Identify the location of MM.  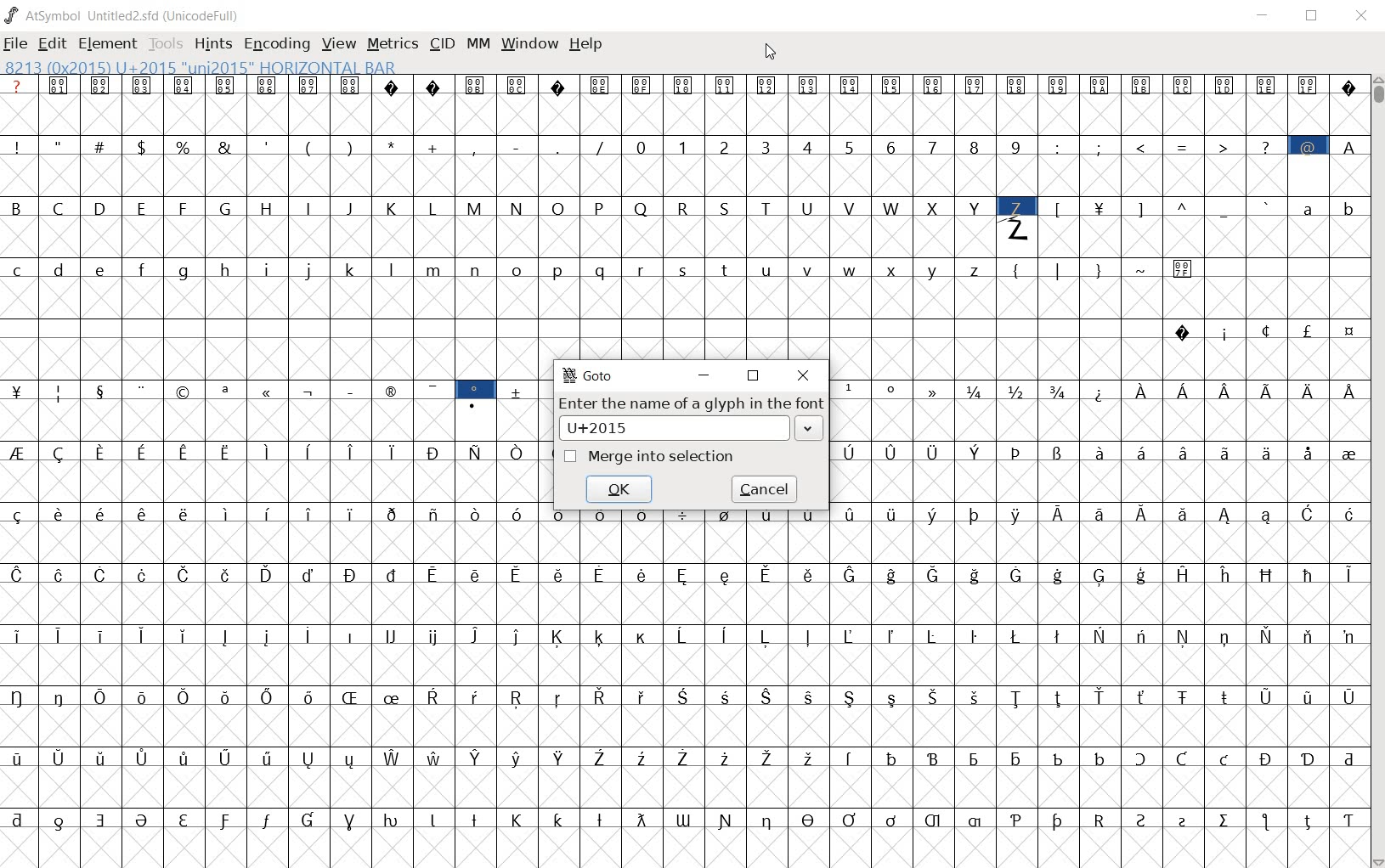
(479, 45).